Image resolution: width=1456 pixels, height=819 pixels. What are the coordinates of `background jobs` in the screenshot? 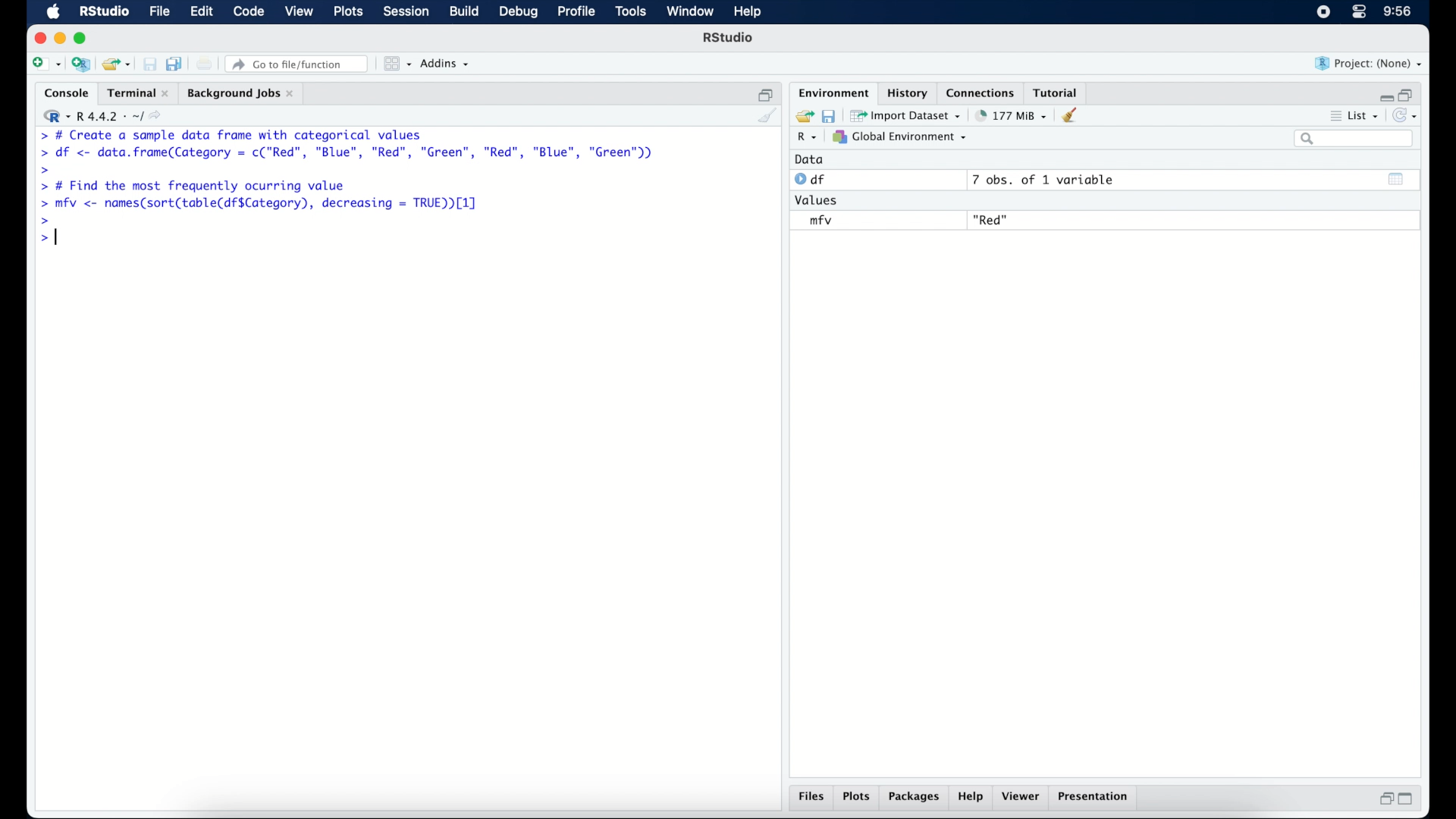 It's located at (243, 93).